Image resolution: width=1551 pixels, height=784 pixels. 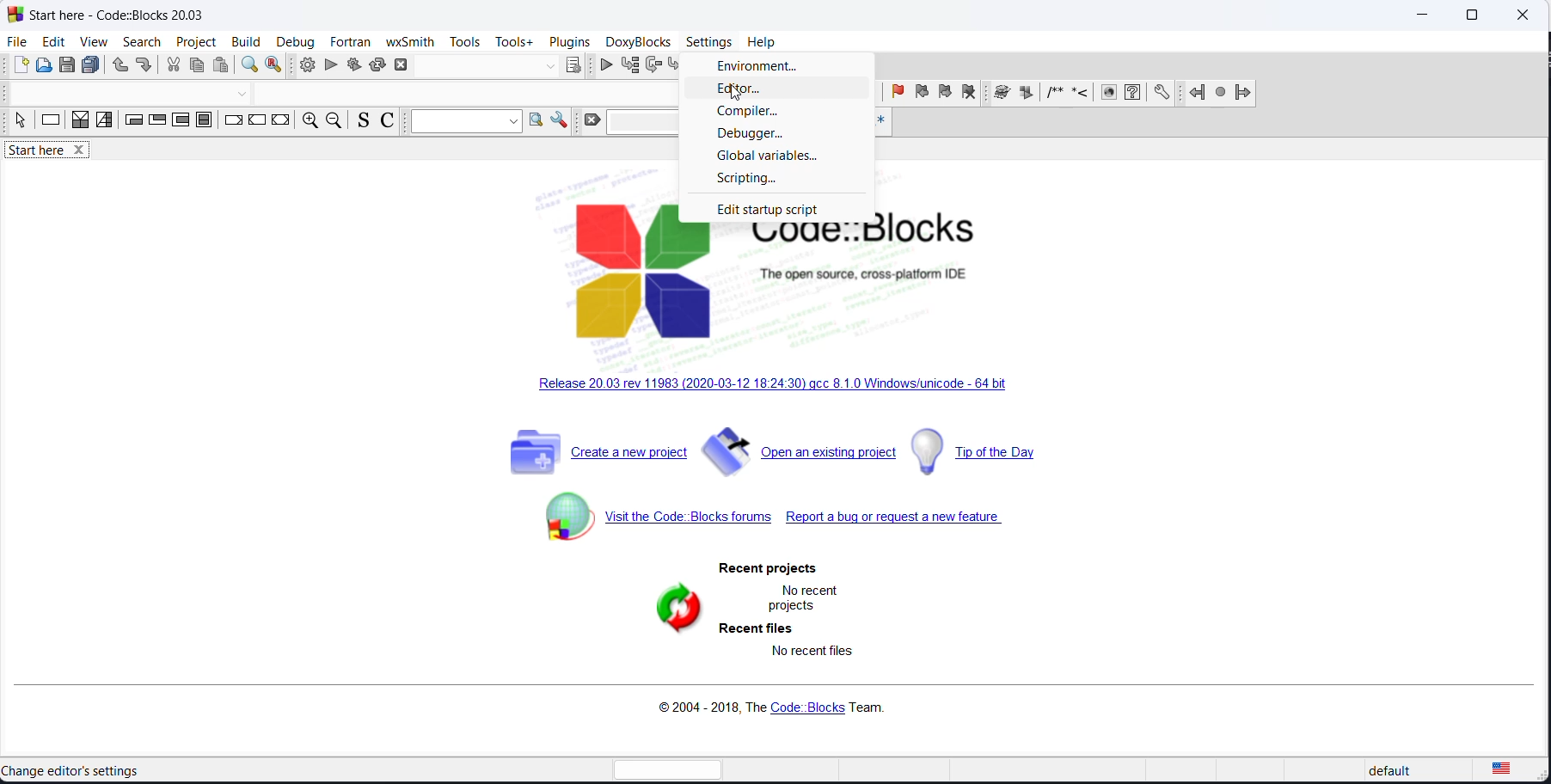 What do you see at coordinates (245, 94) in the screenshot?
I see `dropdown` at bounding box center [245, 94].